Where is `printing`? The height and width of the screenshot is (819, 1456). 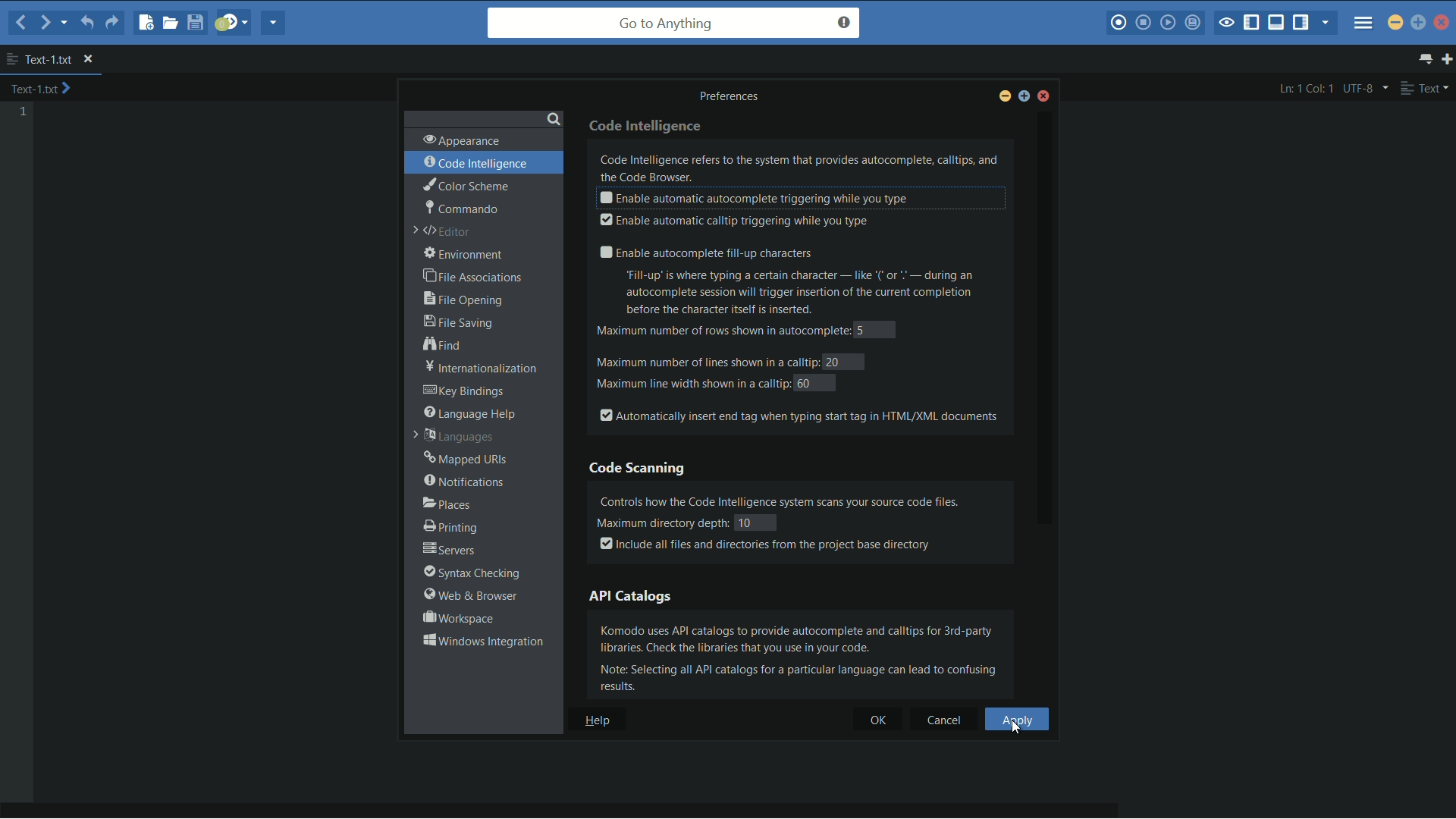
printing is located at coordinates (449, 528).